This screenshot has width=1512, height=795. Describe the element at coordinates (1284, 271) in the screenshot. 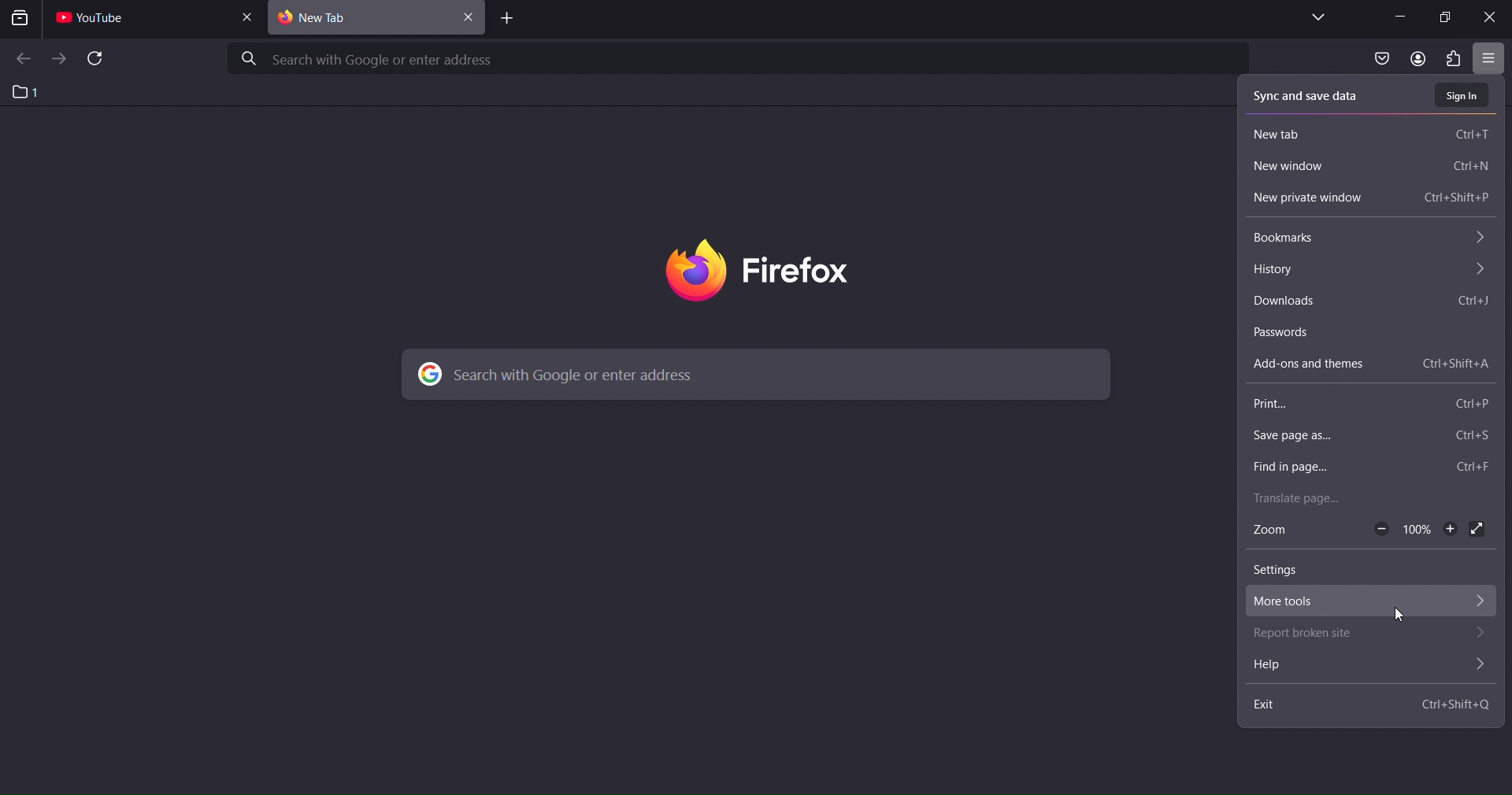

I see `history` at that location.